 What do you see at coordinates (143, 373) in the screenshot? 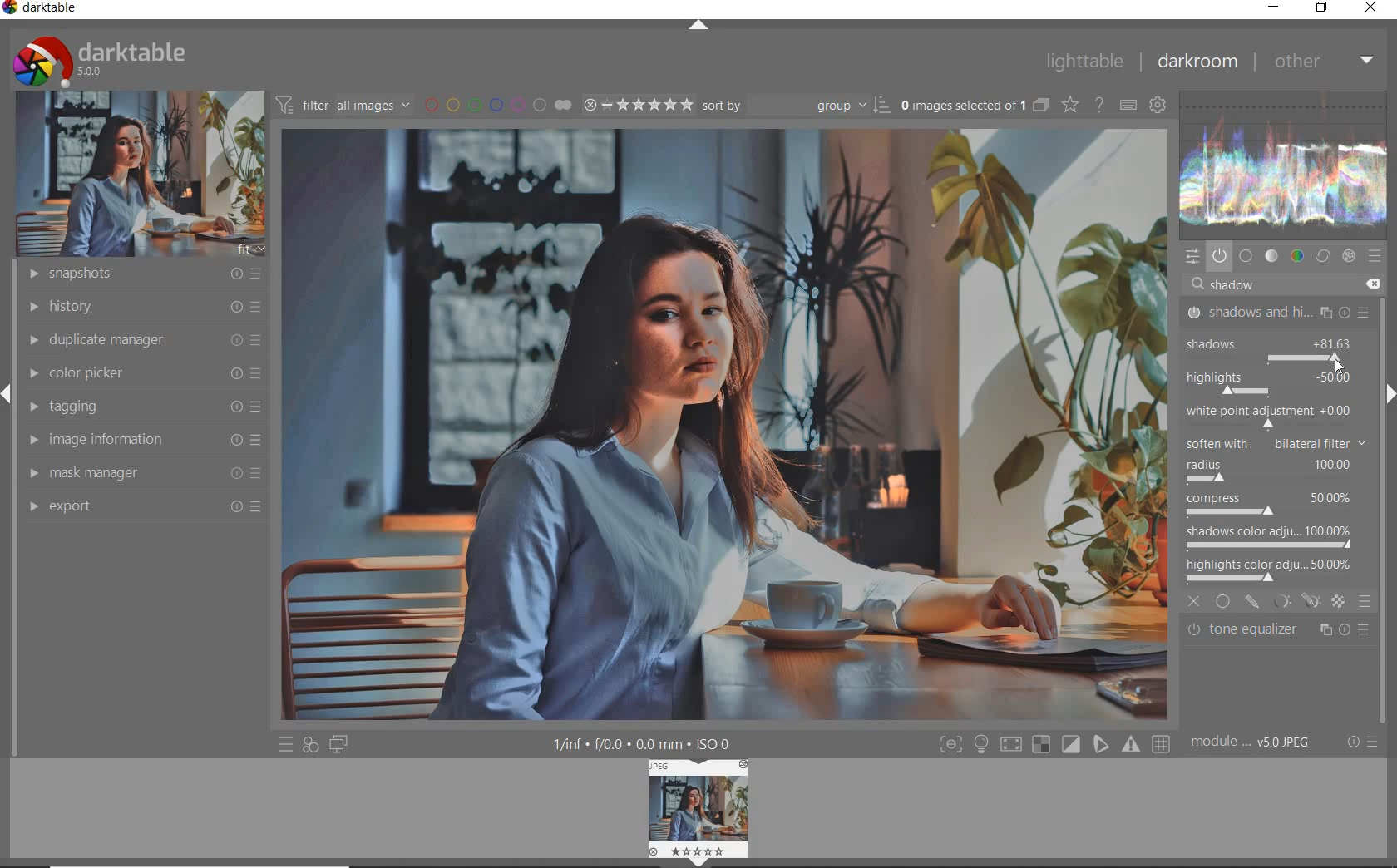
I see `color picker` at bounding box center [143, 373].